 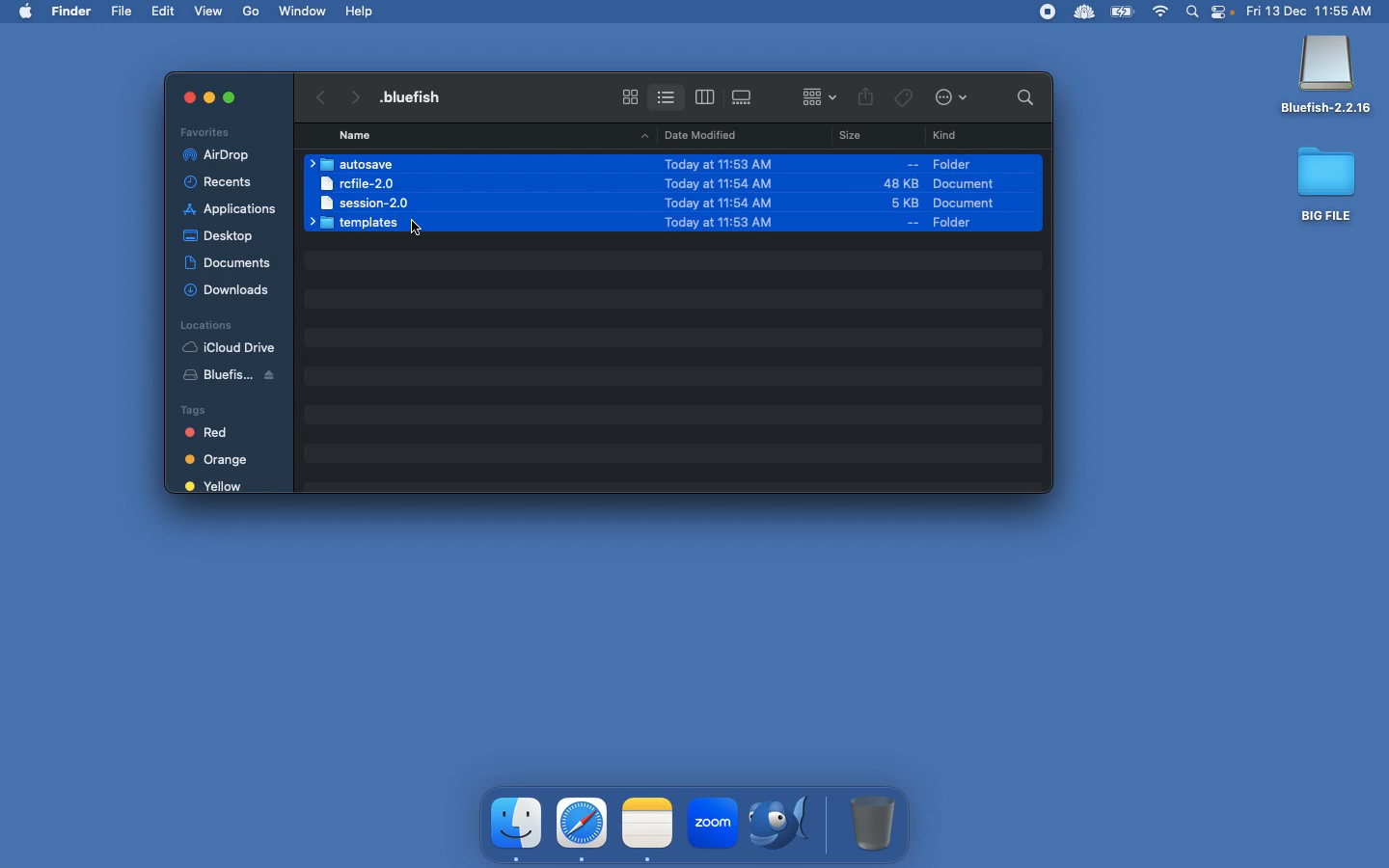 What do you see at coordinates (904, 95) in the screenshot?
I see `tags` at bounding box center [904, 95].